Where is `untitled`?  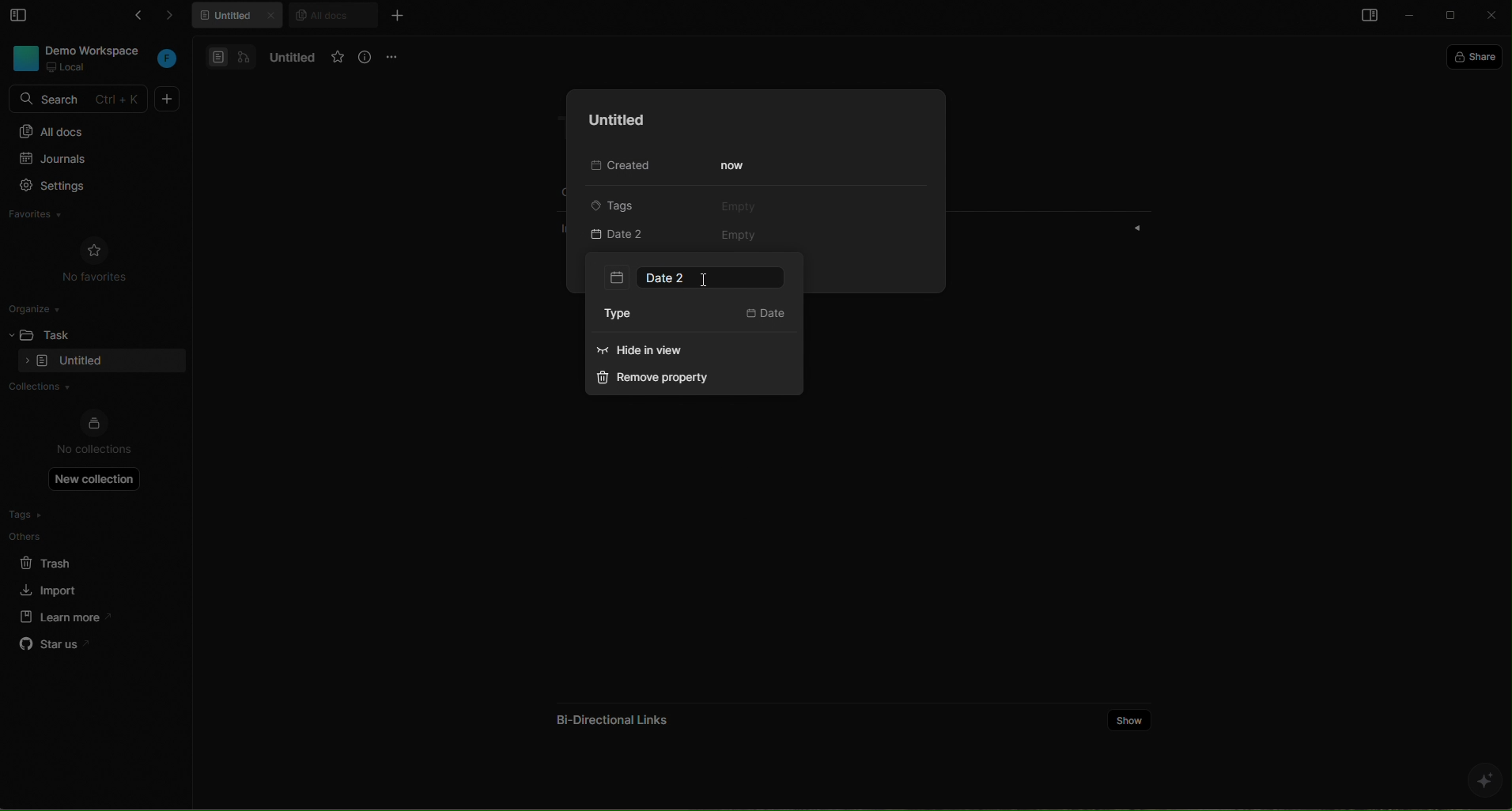
untitled is located at coordinates (612, 120).